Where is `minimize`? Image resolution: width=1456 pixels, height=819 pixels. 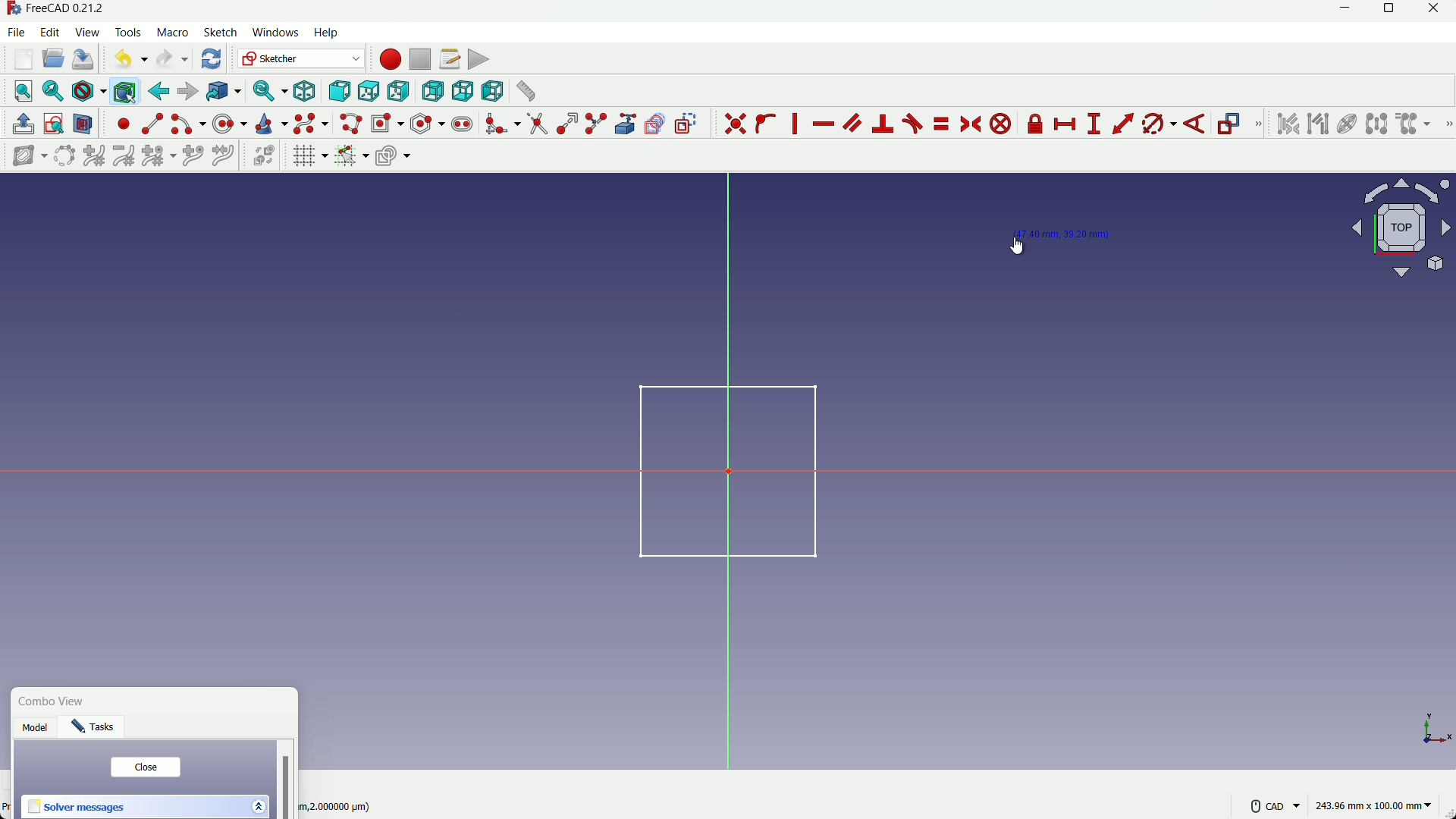
minimize is located at coordinates (1341, 11).